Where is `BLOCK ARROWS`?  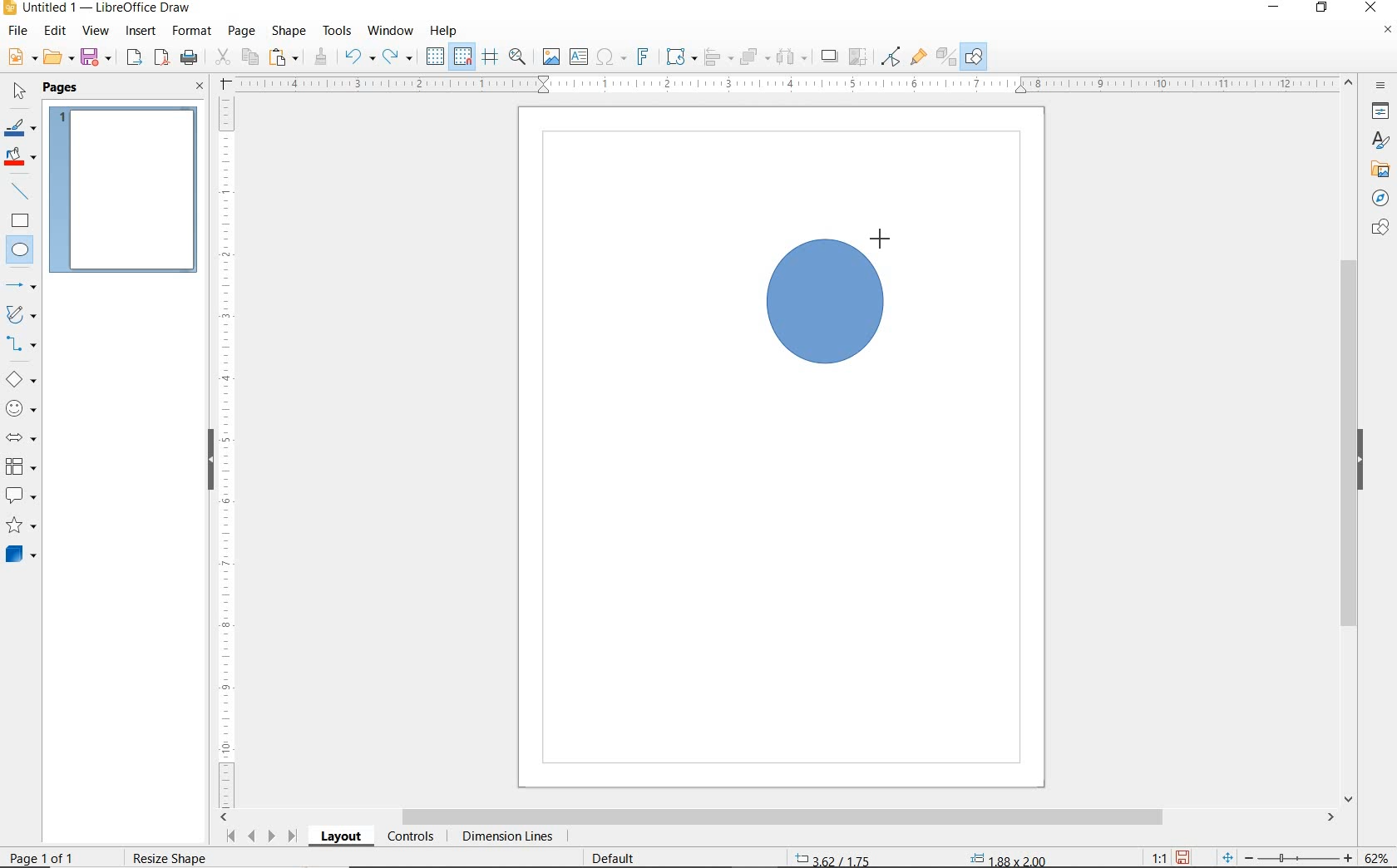 BLOCK ARROWS is located at coordinates (20, 435).